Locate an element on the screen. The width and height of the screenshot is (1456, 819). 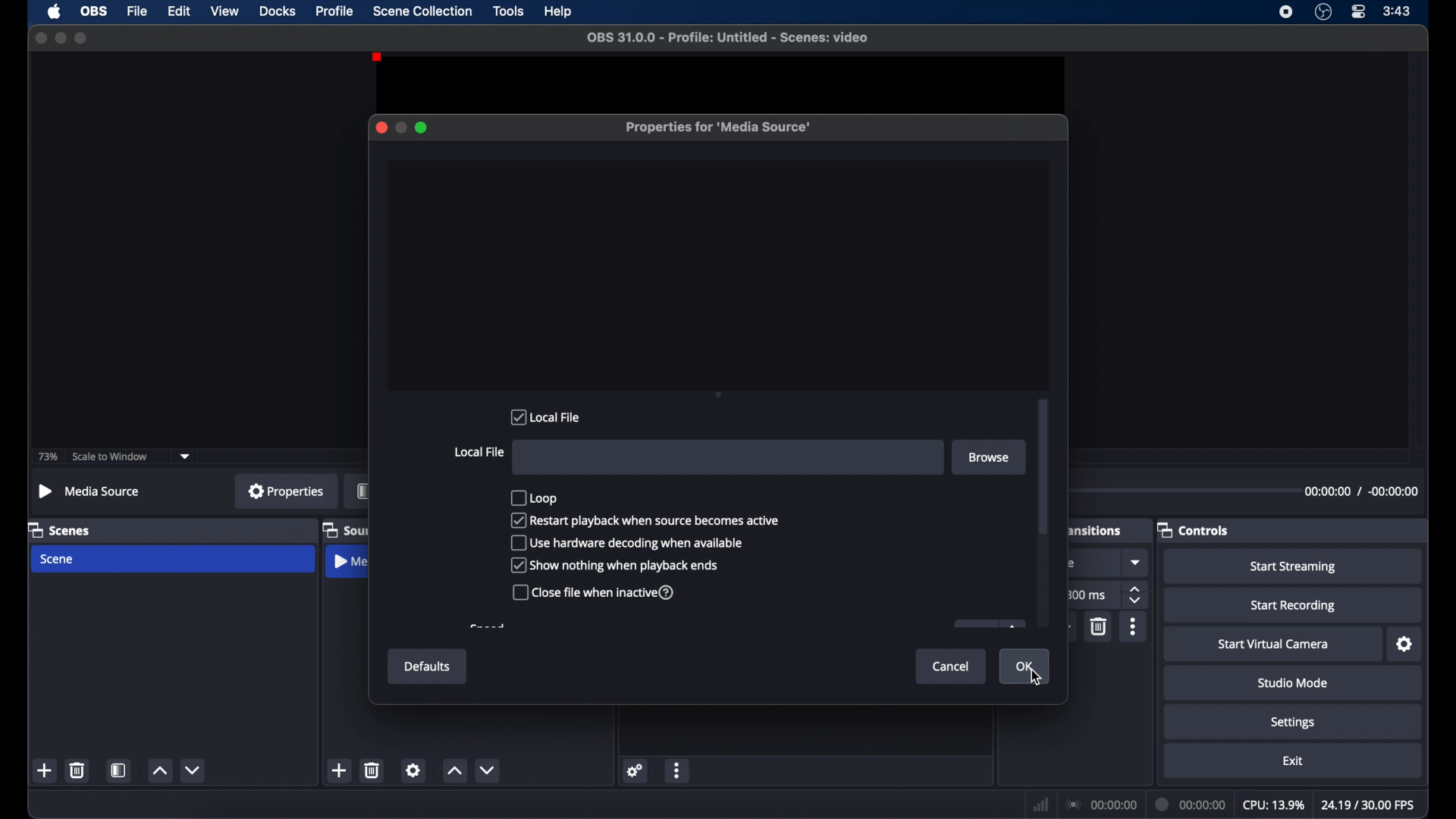
file is located at coordinates (138, 11).